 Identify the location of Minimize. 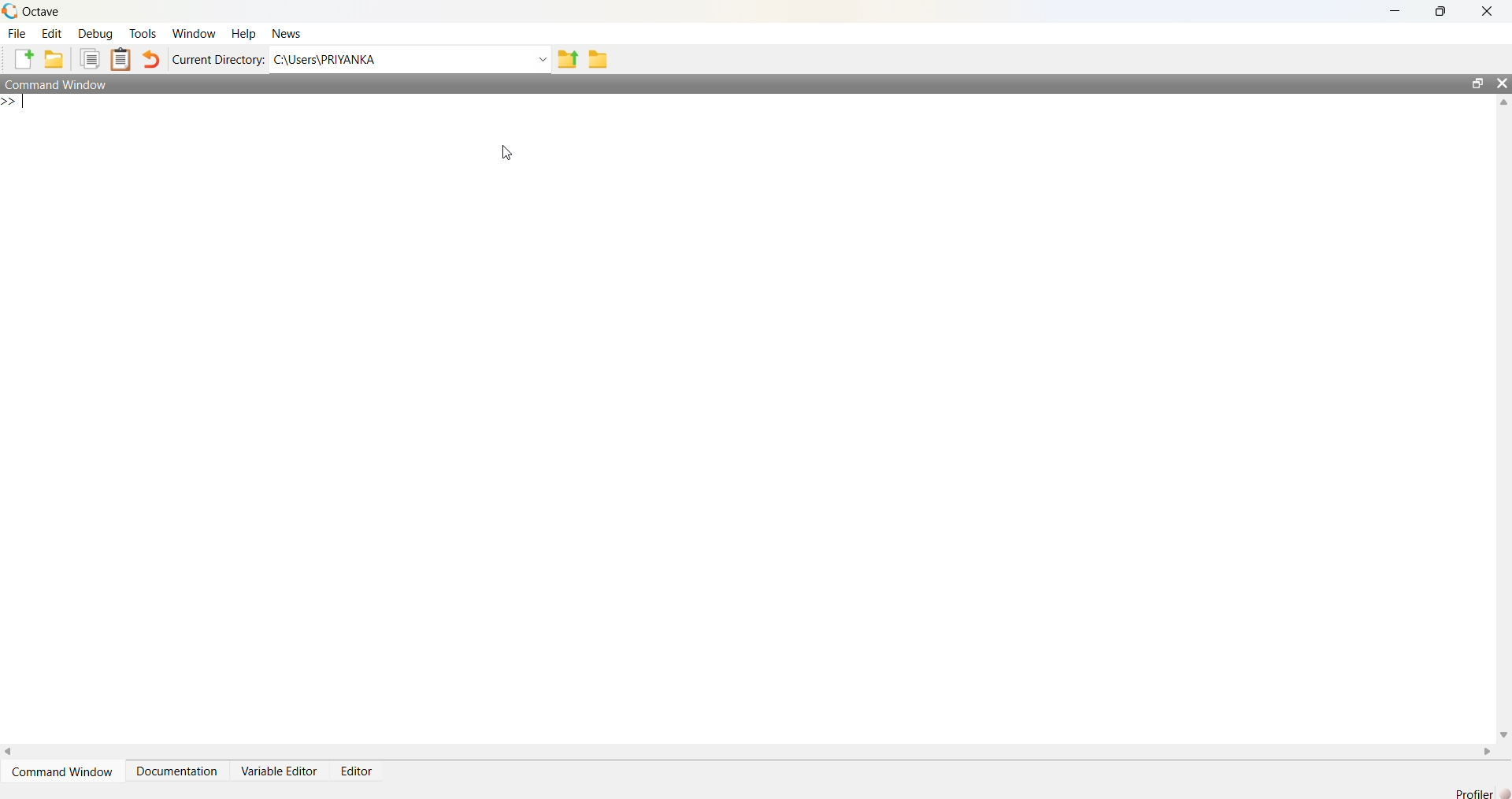
(1394, 11).